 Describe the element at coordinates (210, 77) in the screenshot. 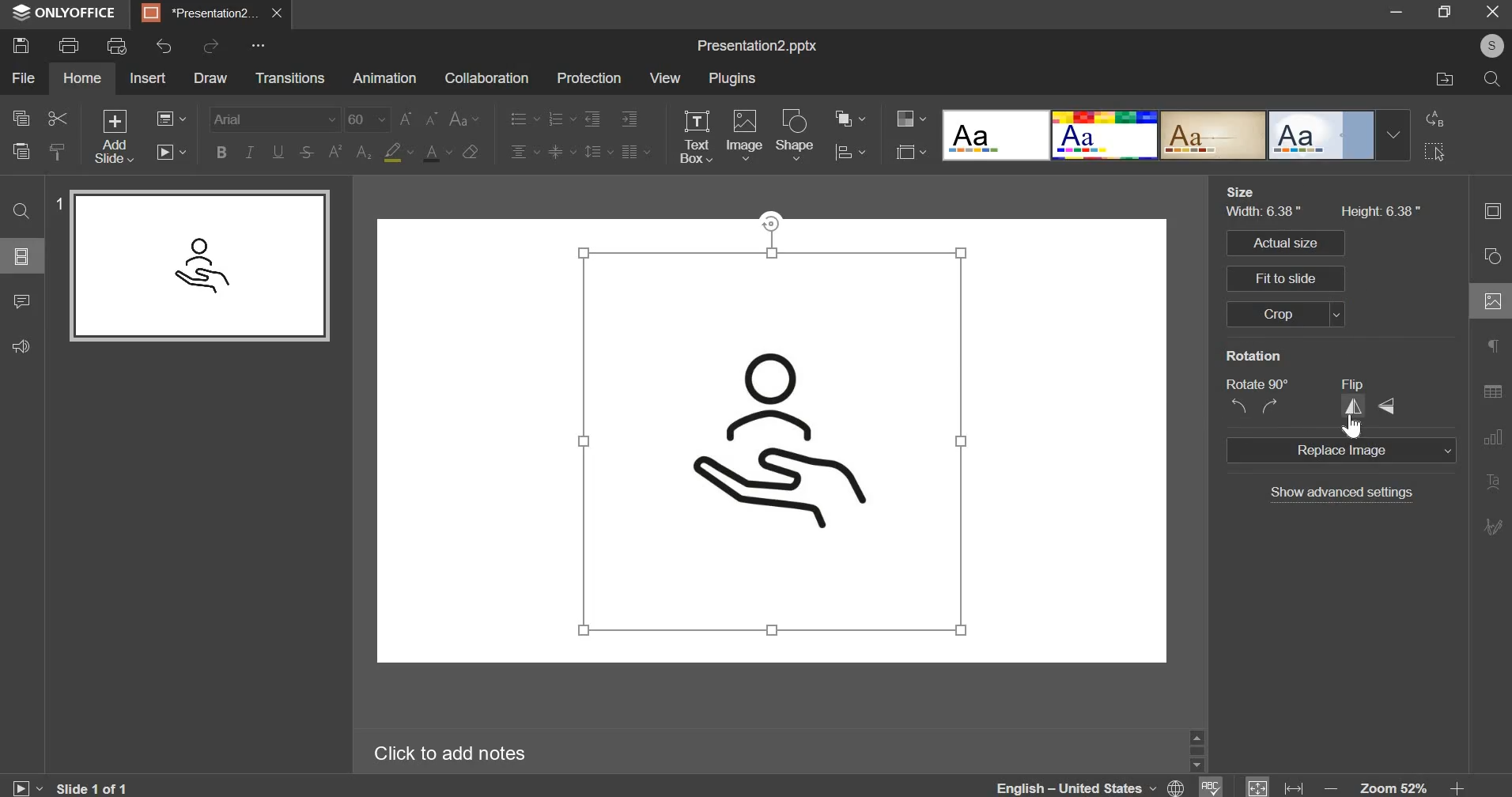

I see `draw` at that location.